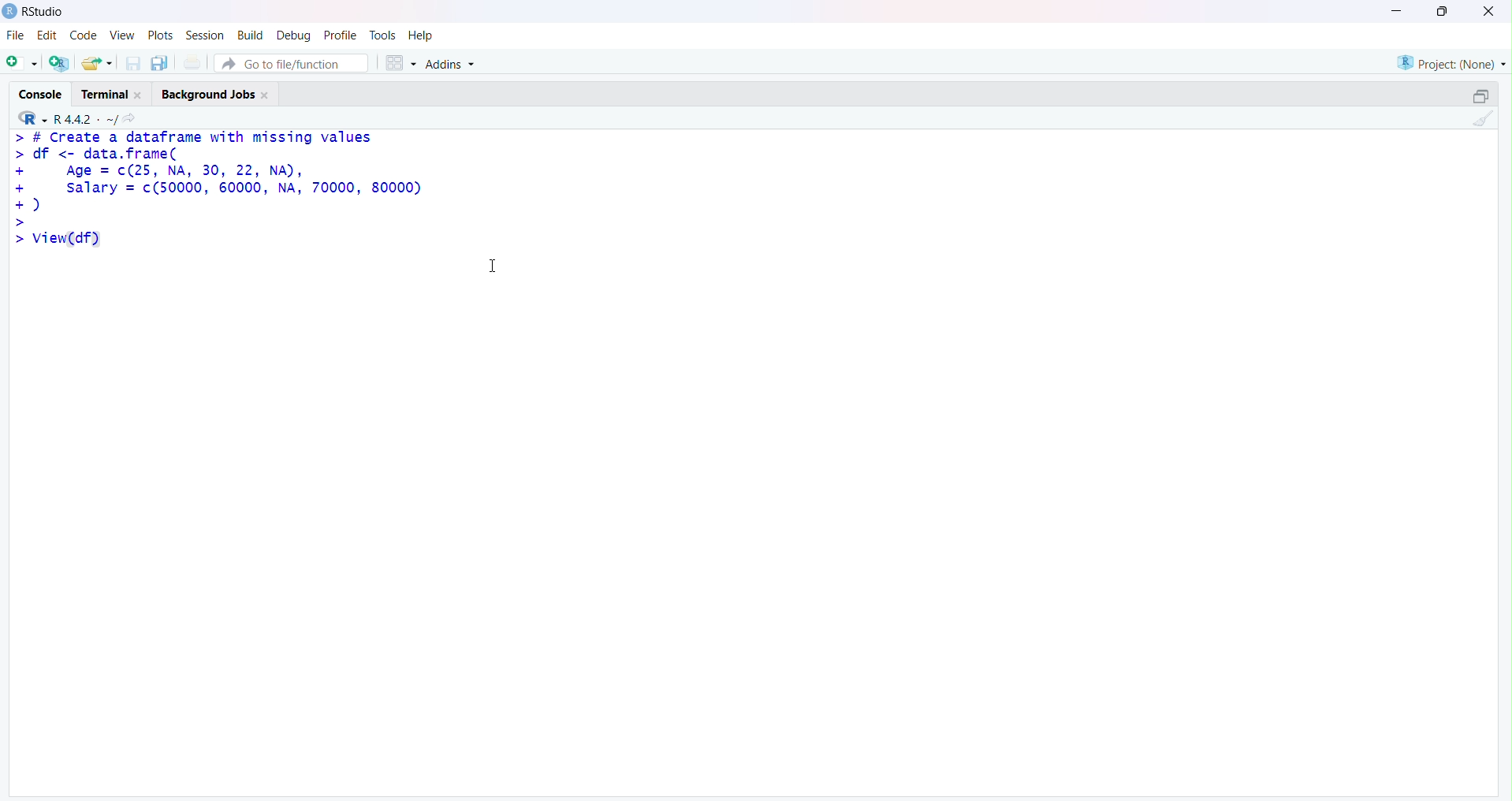 The image size is (1512, 801). What do you see at coordinates (384, 35) in the screenshot?
I see `Tools` at bounding box center [384, 35].